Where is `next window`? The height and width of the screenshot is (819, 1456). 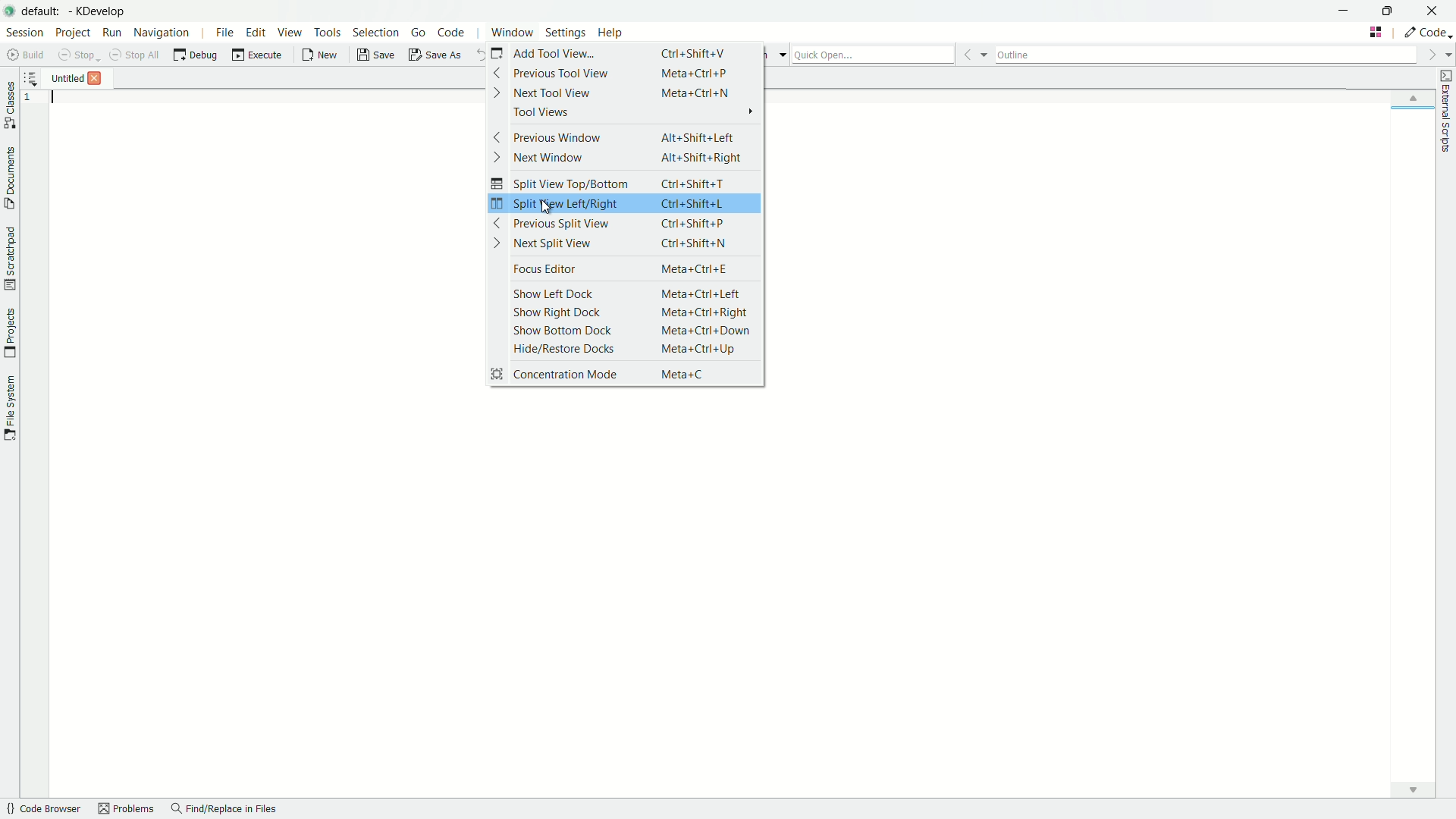 next window is located at coordinates (562, 155).